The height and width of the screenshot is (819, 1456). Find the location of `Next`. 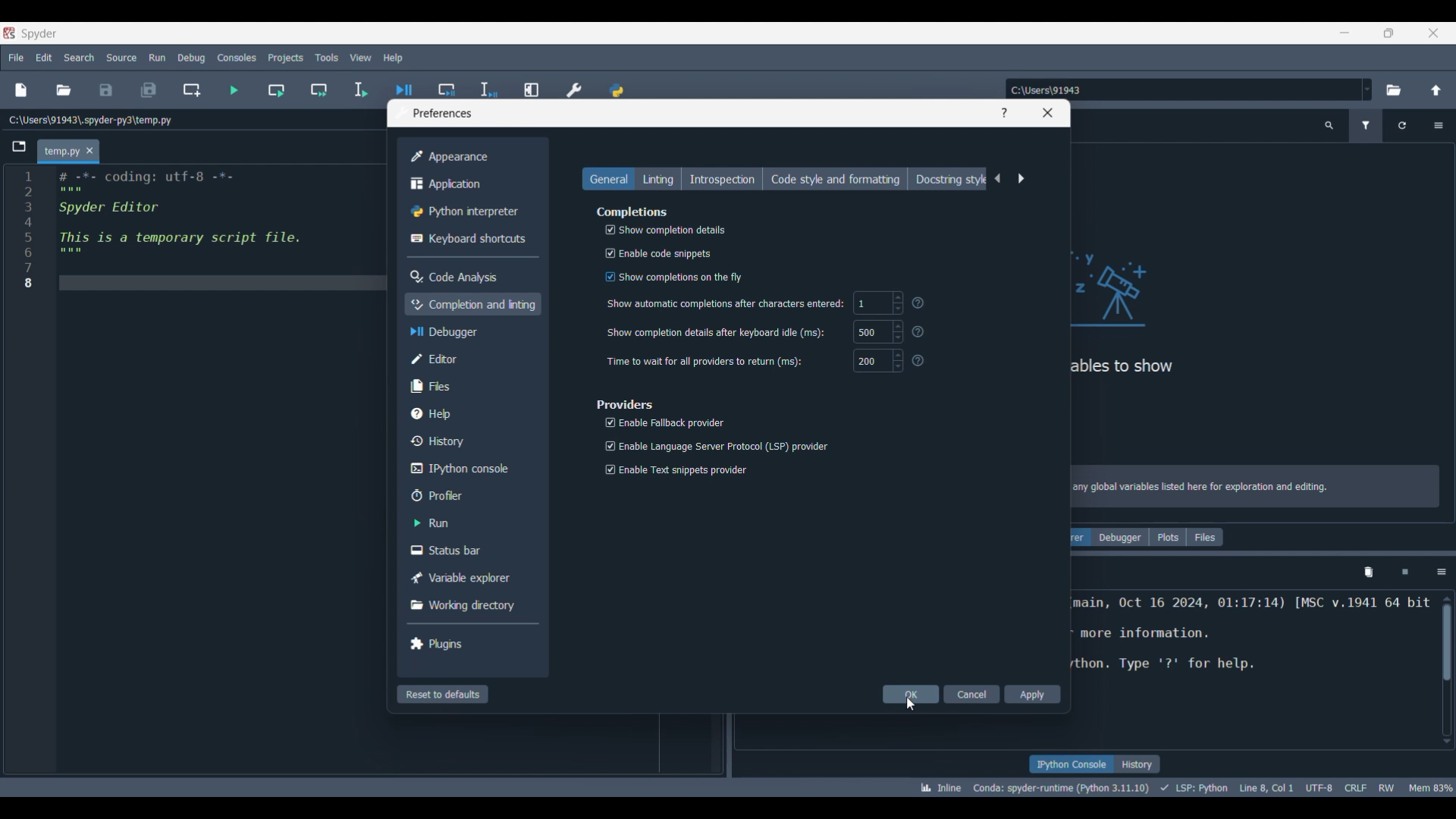

Next is located at coordinates (1021, 179).